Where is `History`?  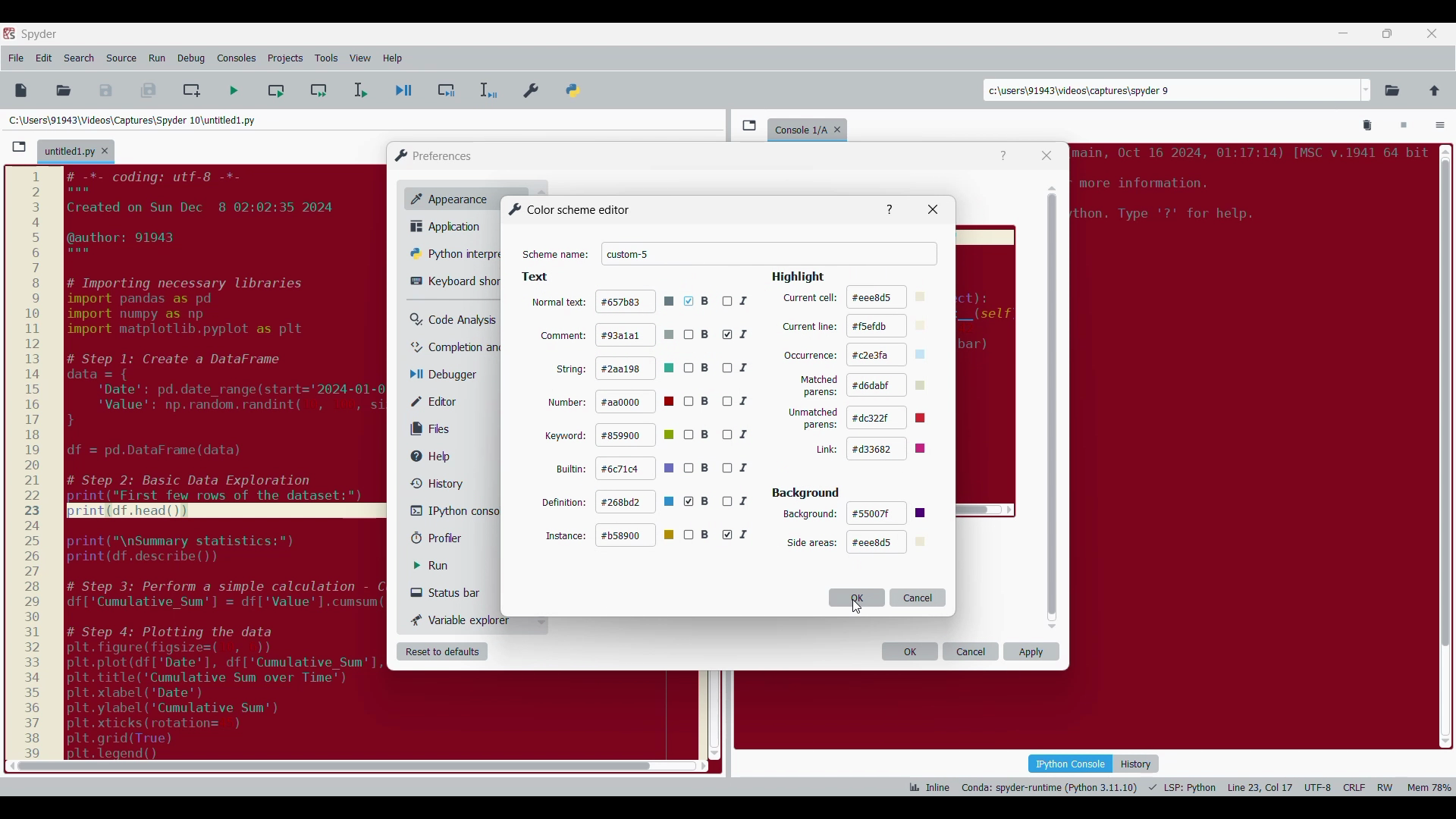 History is located at coordinates (434, 483).